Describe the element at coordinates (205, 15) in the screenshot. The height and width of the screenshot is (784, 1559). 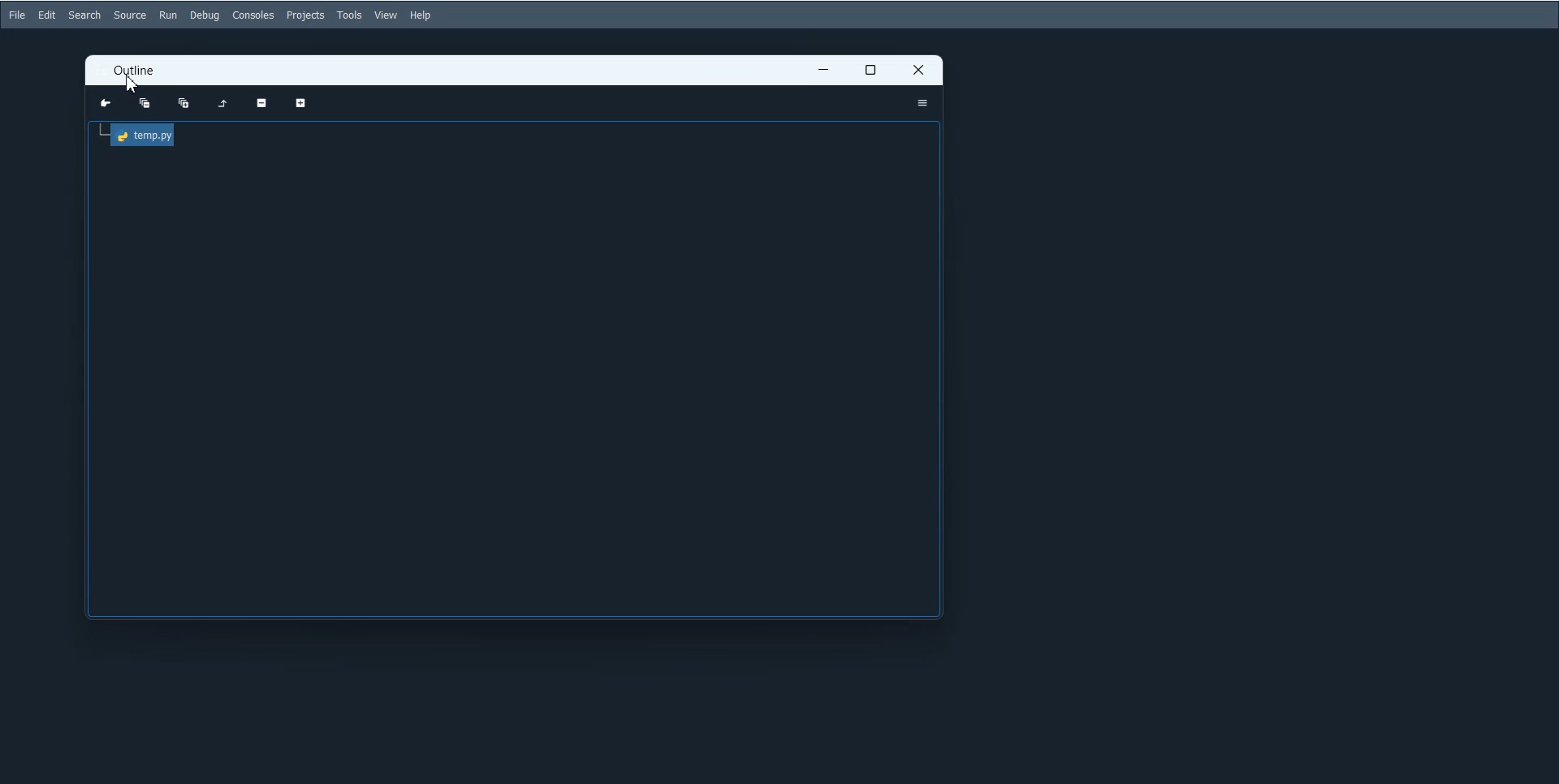
I see `Debug` at that location.